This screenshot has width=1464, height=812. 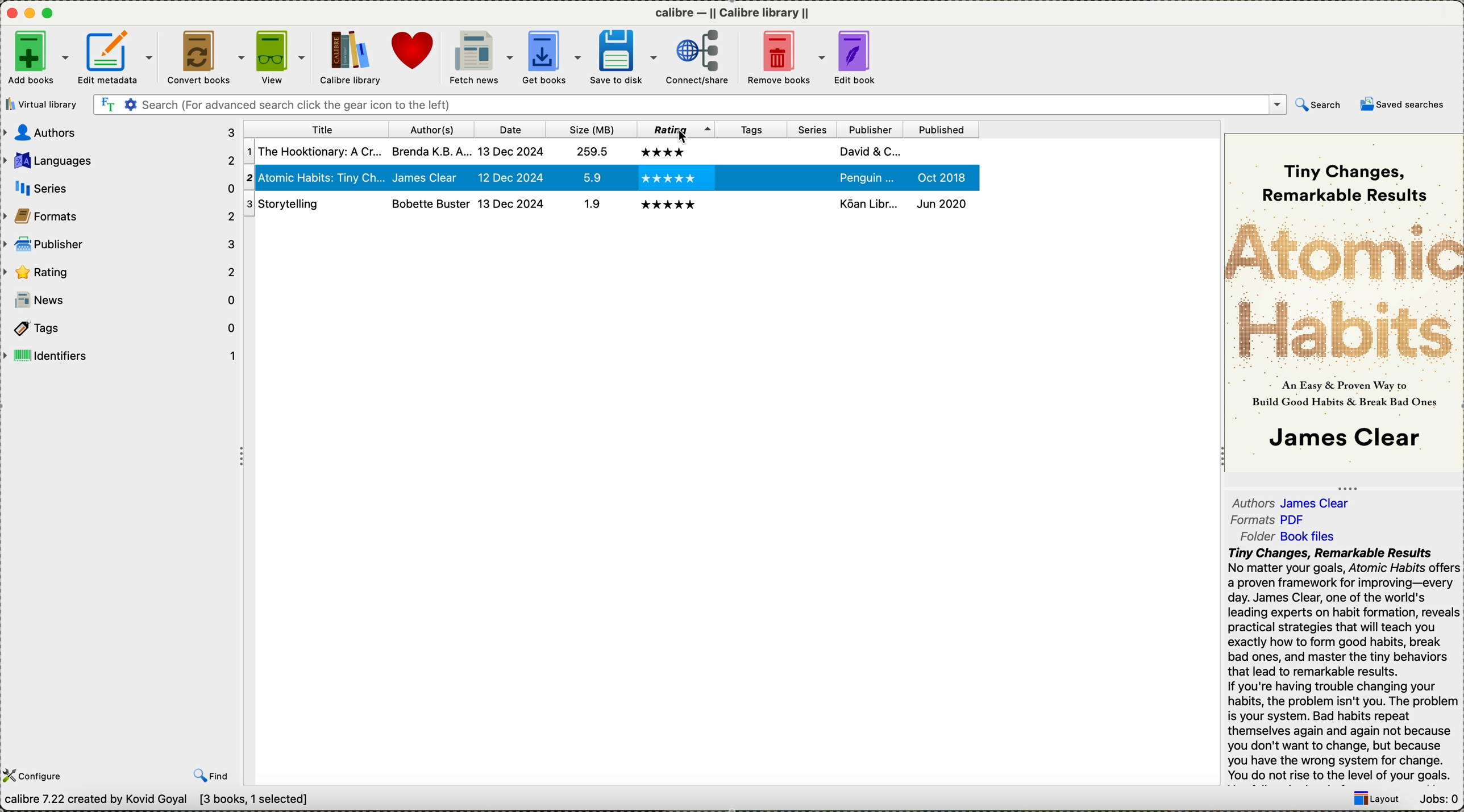 I want to click on Cursor, so click(x=682, y=138).